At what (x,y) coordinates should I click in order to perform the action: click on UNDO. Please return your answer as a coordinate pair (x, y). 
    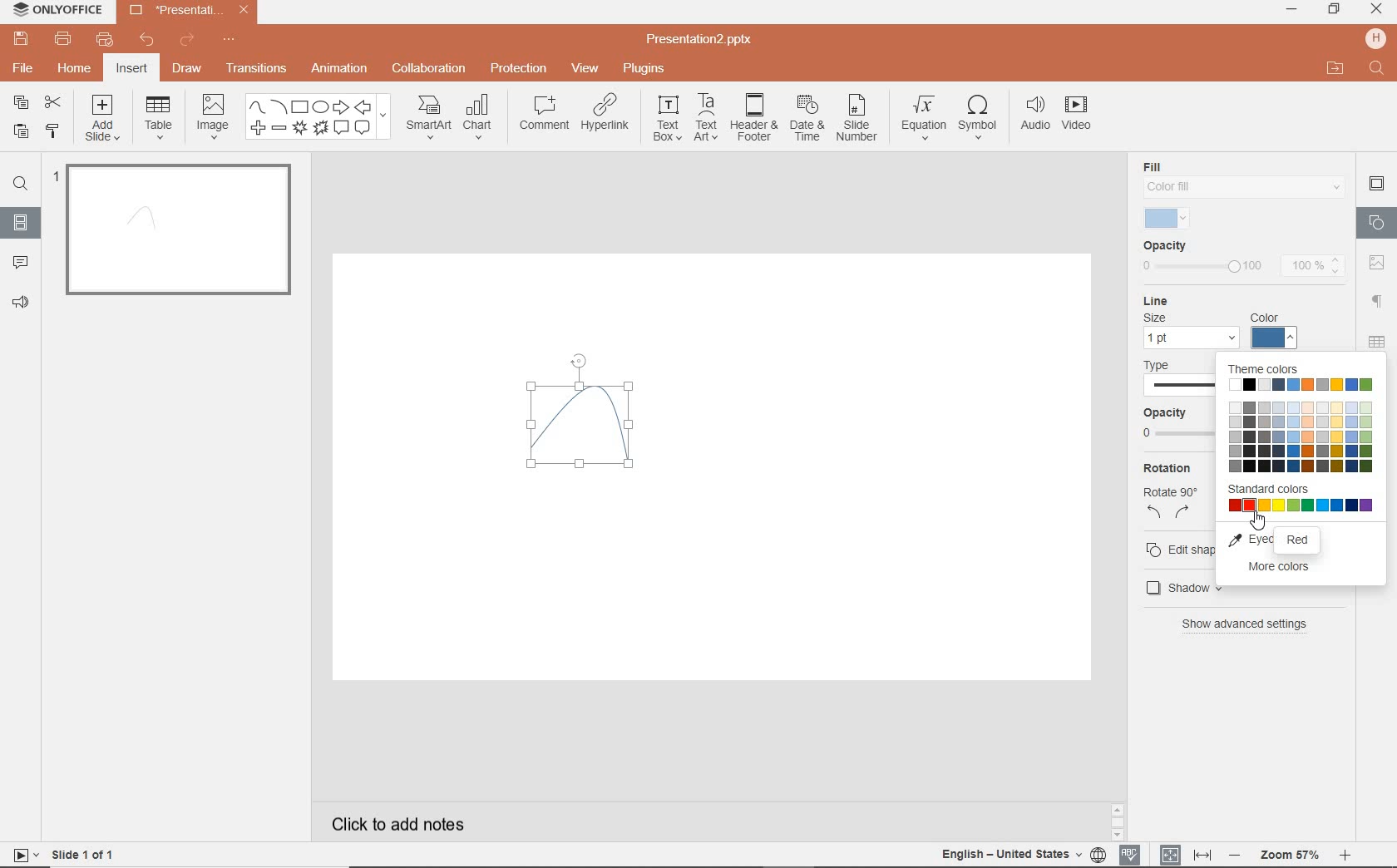
    Looking at the image, I should click on (146, 42).